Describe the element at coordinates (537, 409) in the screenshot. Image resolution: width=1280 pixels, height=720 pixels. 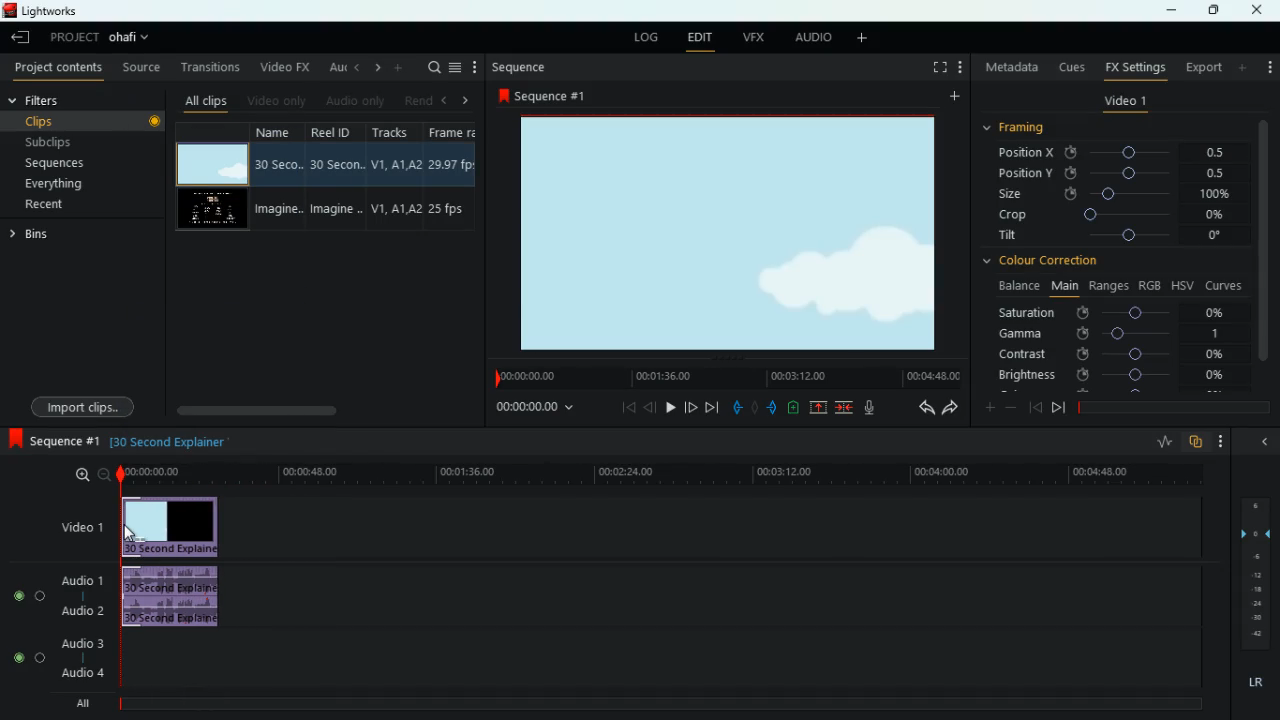
I see `time` at that location.